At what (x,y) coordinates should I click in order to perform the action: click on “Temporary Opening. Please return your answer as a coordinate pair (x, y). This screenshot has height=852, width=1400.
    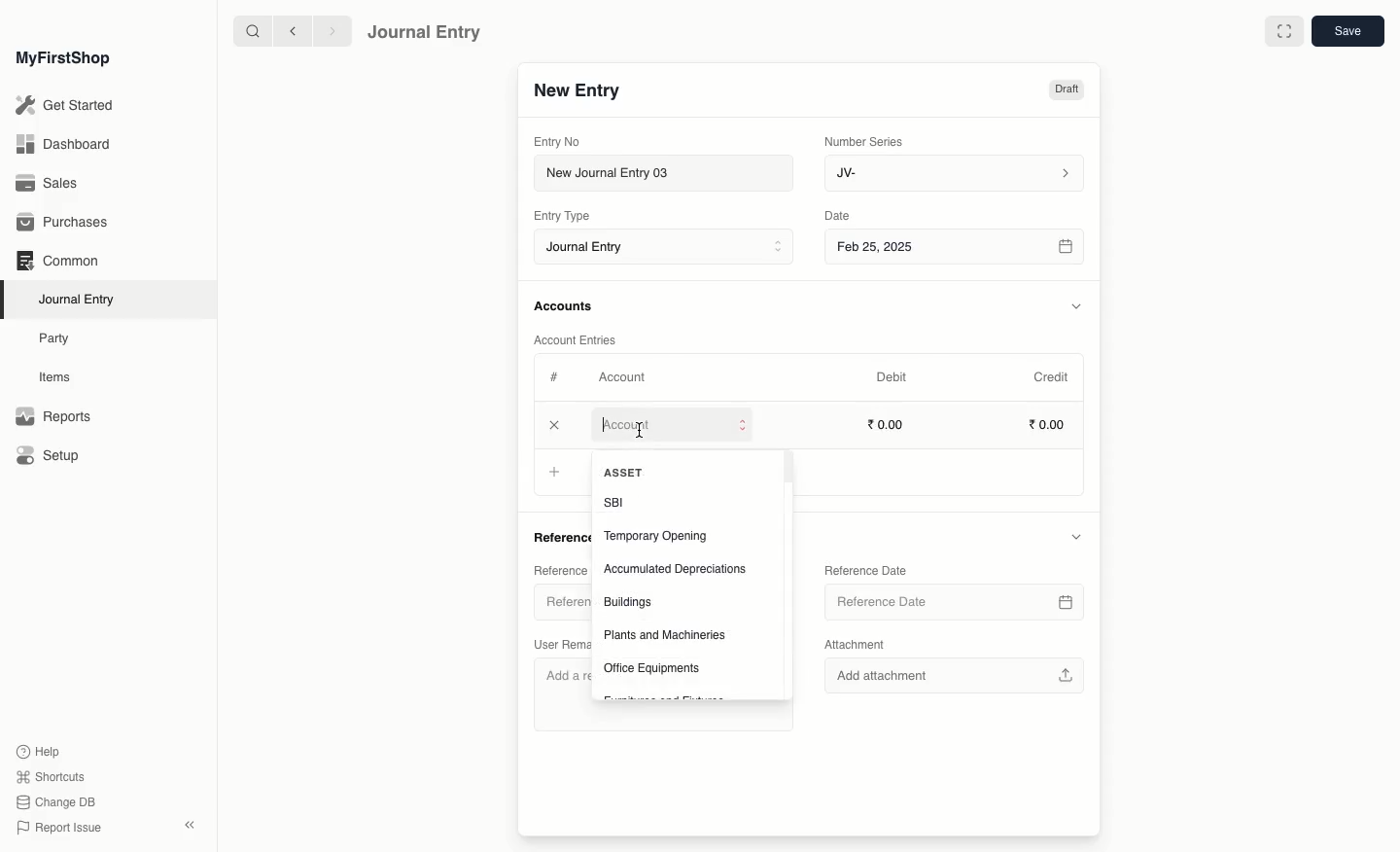
    Looking at the image, I should click on (655, 536).